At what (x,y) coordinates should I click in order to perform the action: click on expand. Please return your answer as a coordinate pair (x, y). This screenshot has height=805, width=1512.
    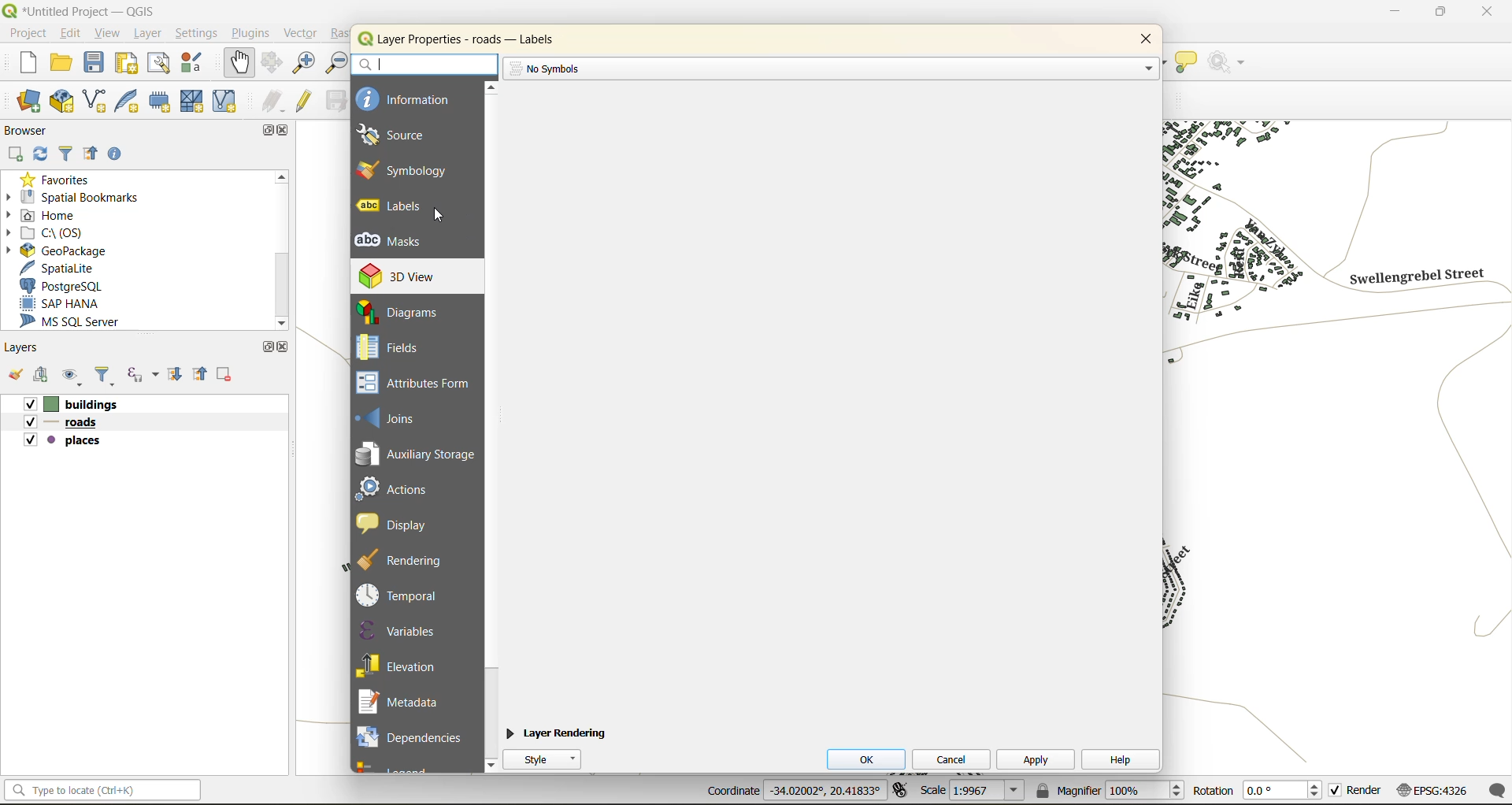
    Looking at the image, I should click on (1147, 68).